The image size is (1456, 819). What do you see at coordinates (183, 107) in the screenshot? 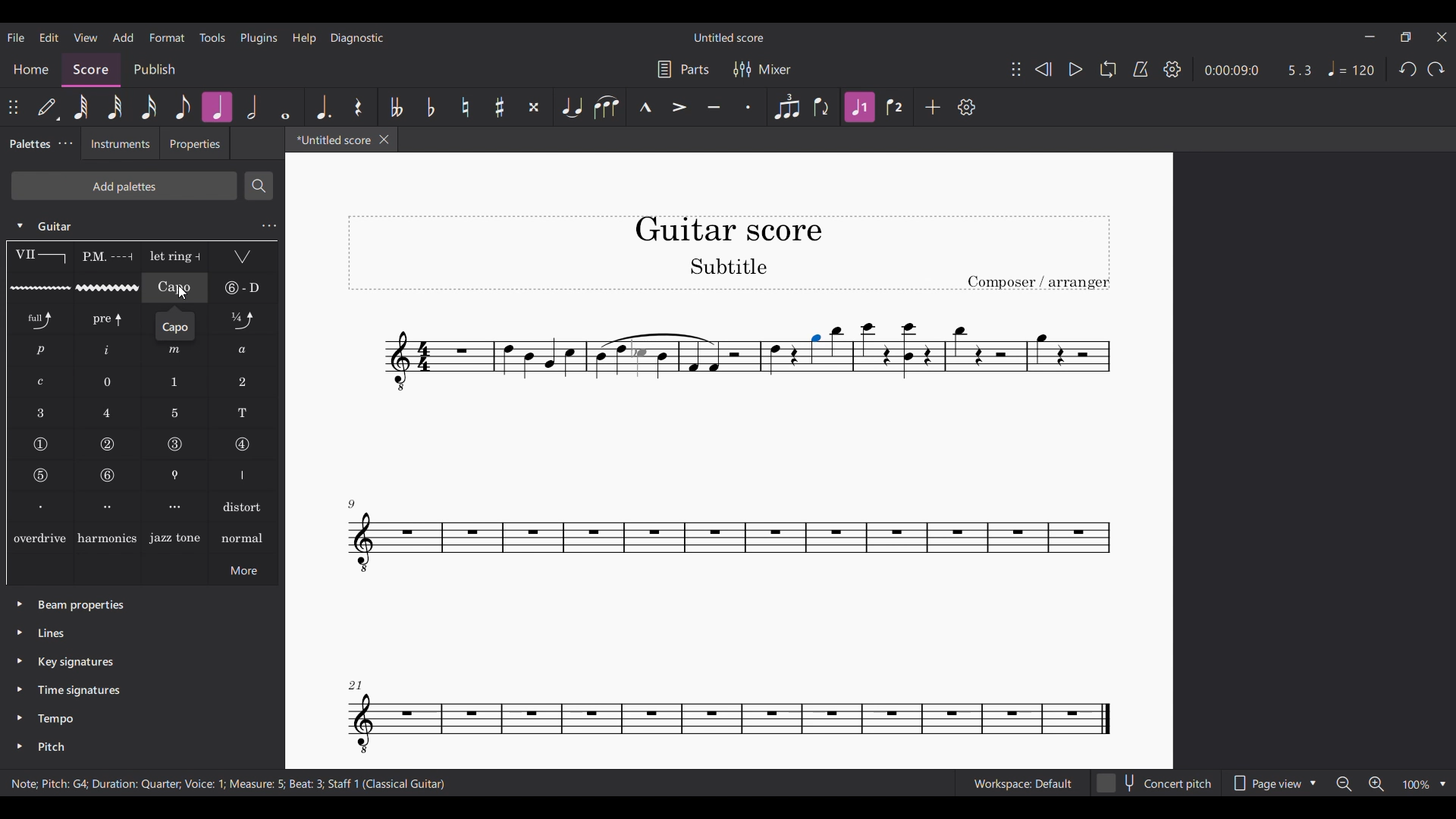
I see `8th note` at bounding box center [183, 107].